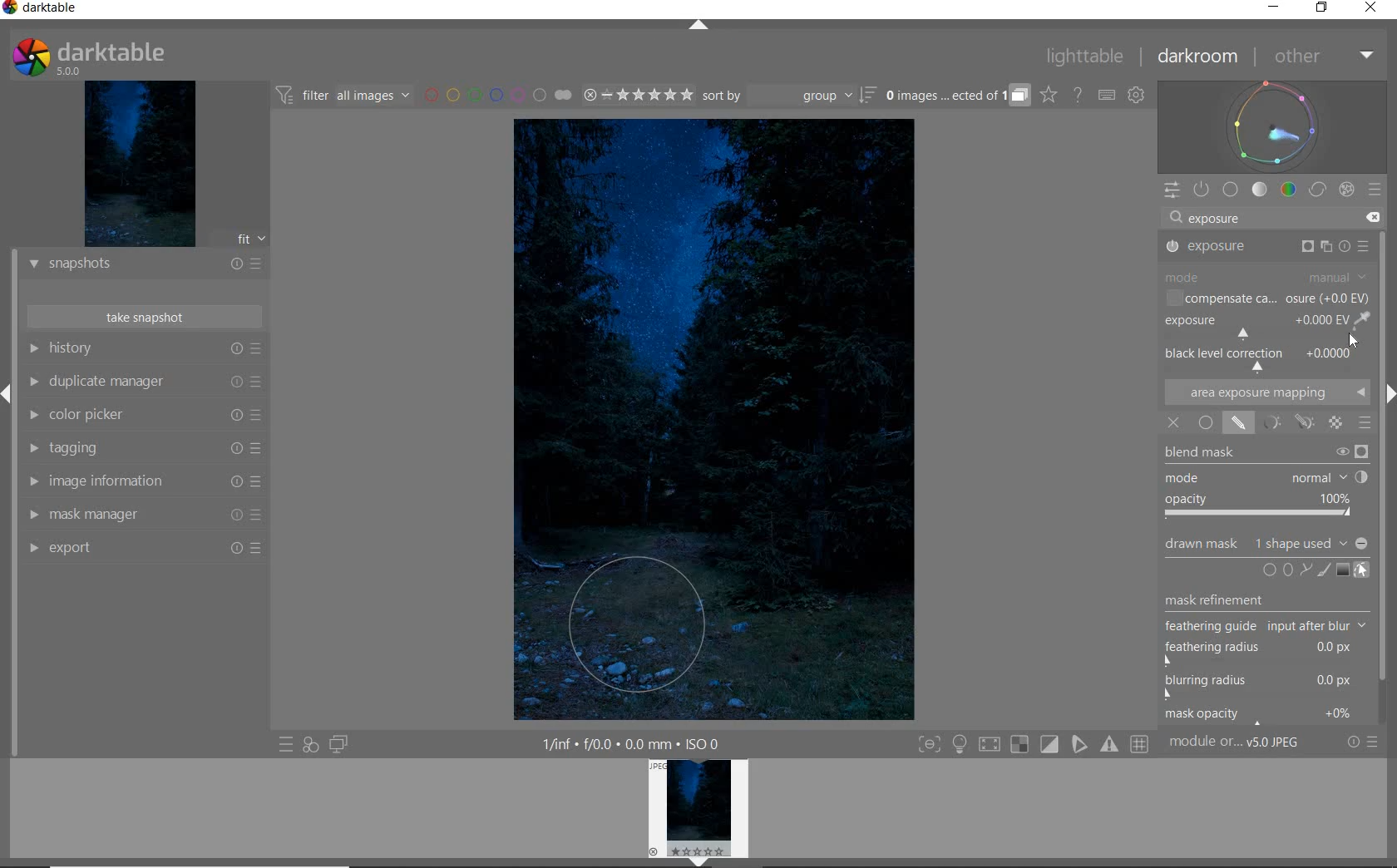 Image resolution: width=1397 pixels, height=868 pixels. What do you see at coordinates (342, 744) in the screenshot?
I see `DISPLAY A SECOND DARKROOM IMAGE WINDOW` at bounding box center [342, 744].